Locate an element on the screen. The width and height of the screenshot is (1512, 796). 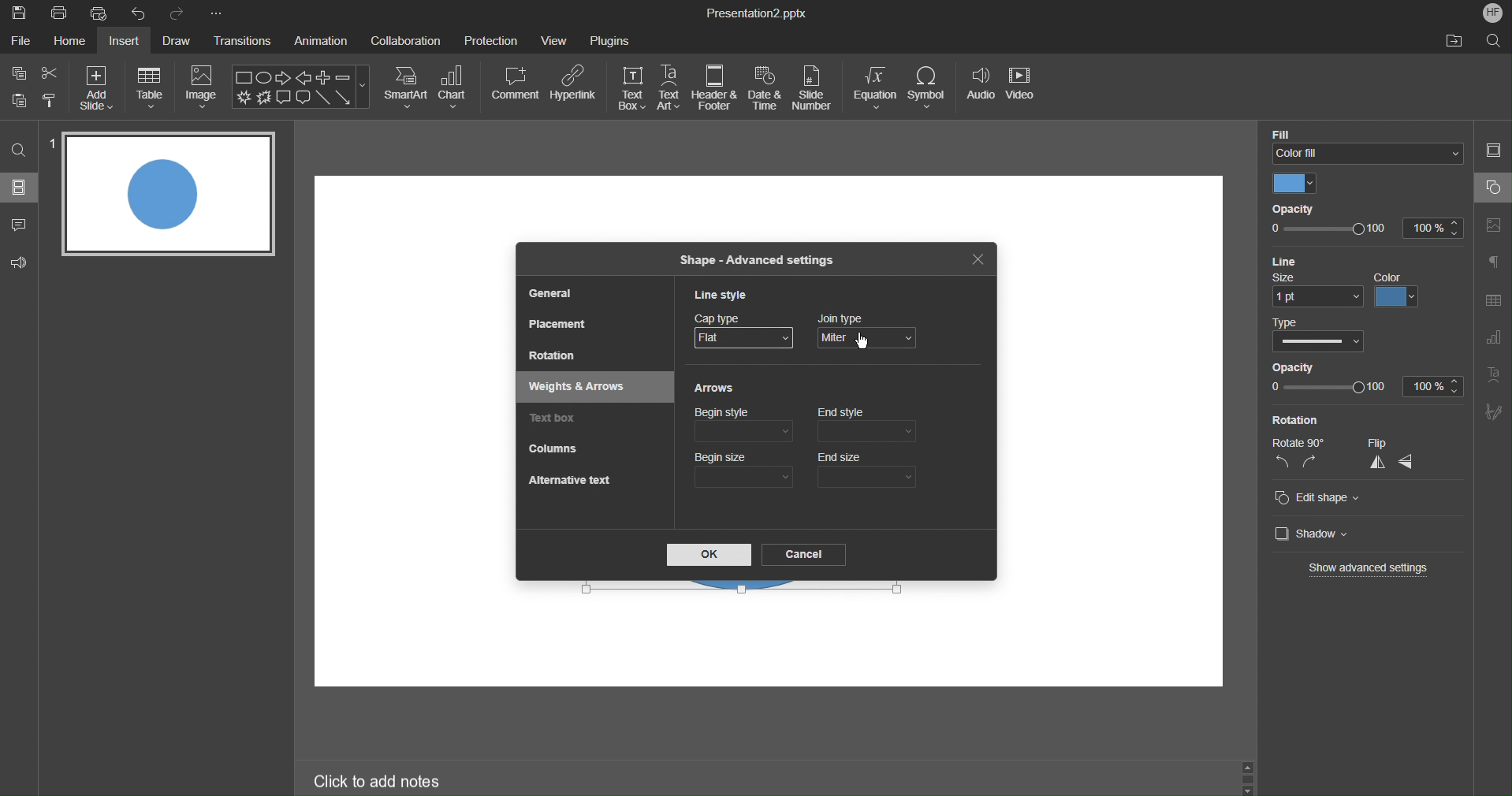
Comment is located at coordinates (516, 83).